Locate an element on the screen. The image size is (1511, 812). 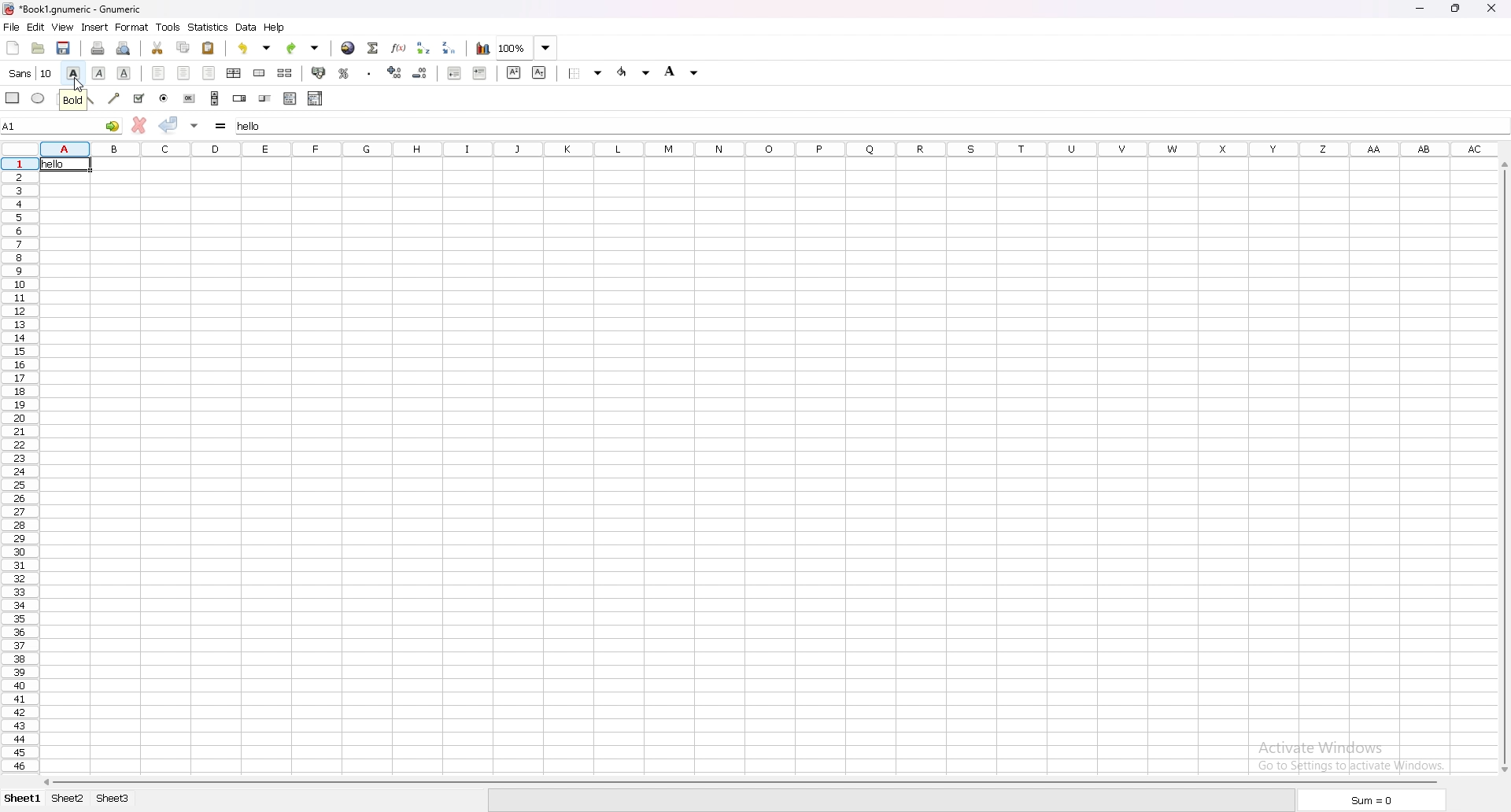
checkbox is located at coordinates (140, 99).